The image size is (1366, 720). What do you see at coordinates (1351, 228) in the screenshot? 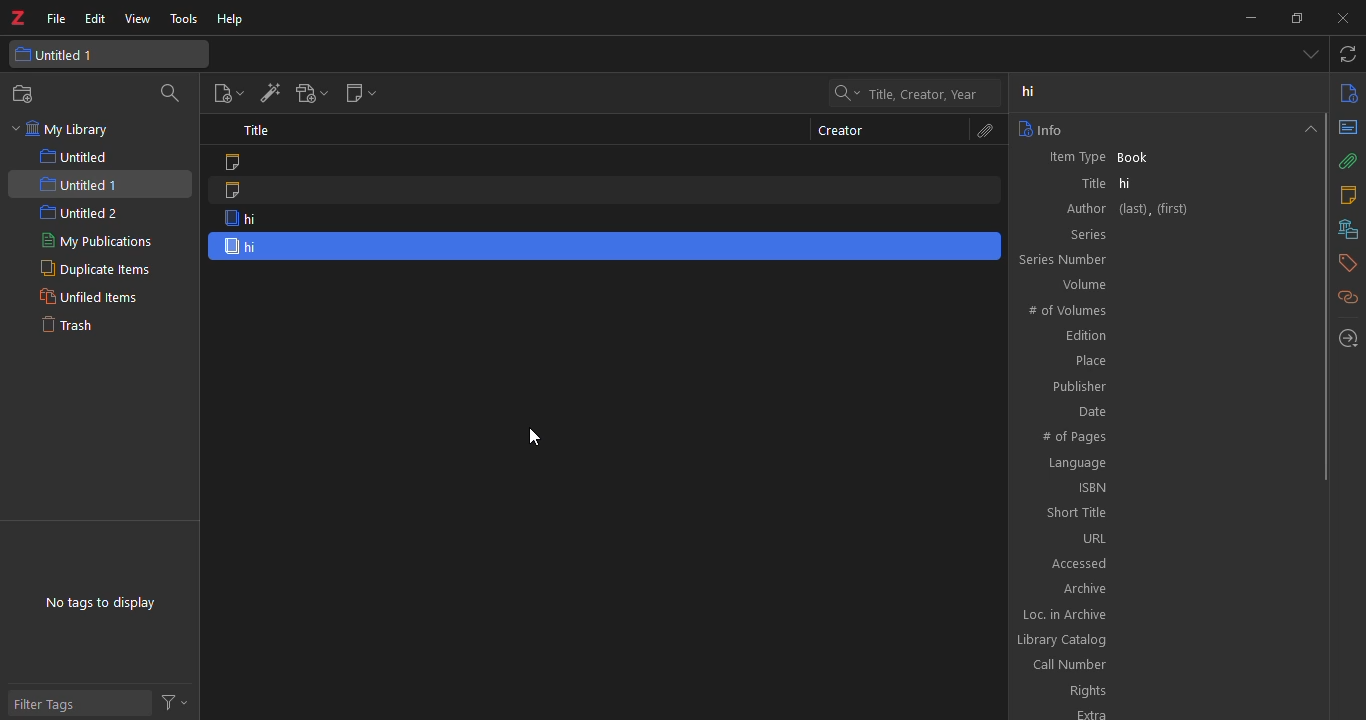
I see `library` at bounding box center [1351, 228].